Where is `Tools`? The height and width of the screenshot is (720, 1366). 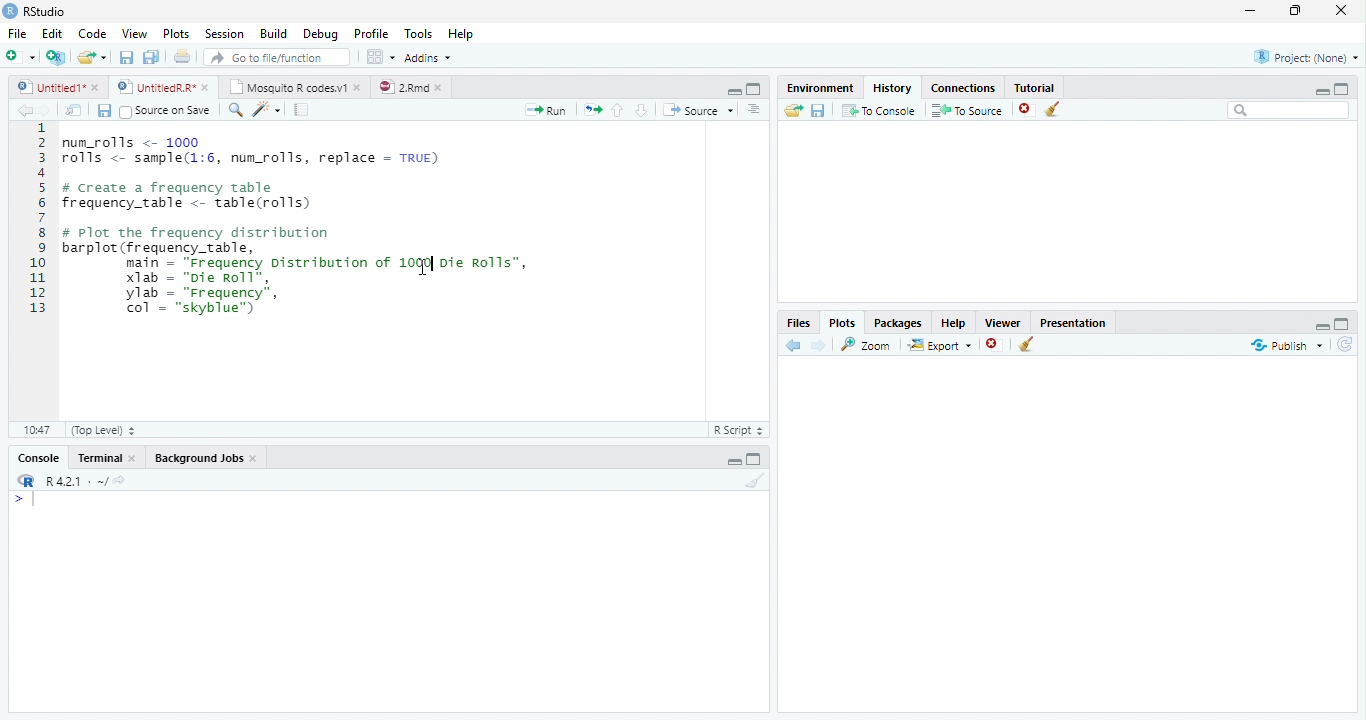
Tools is located at coordinates (420, 33).